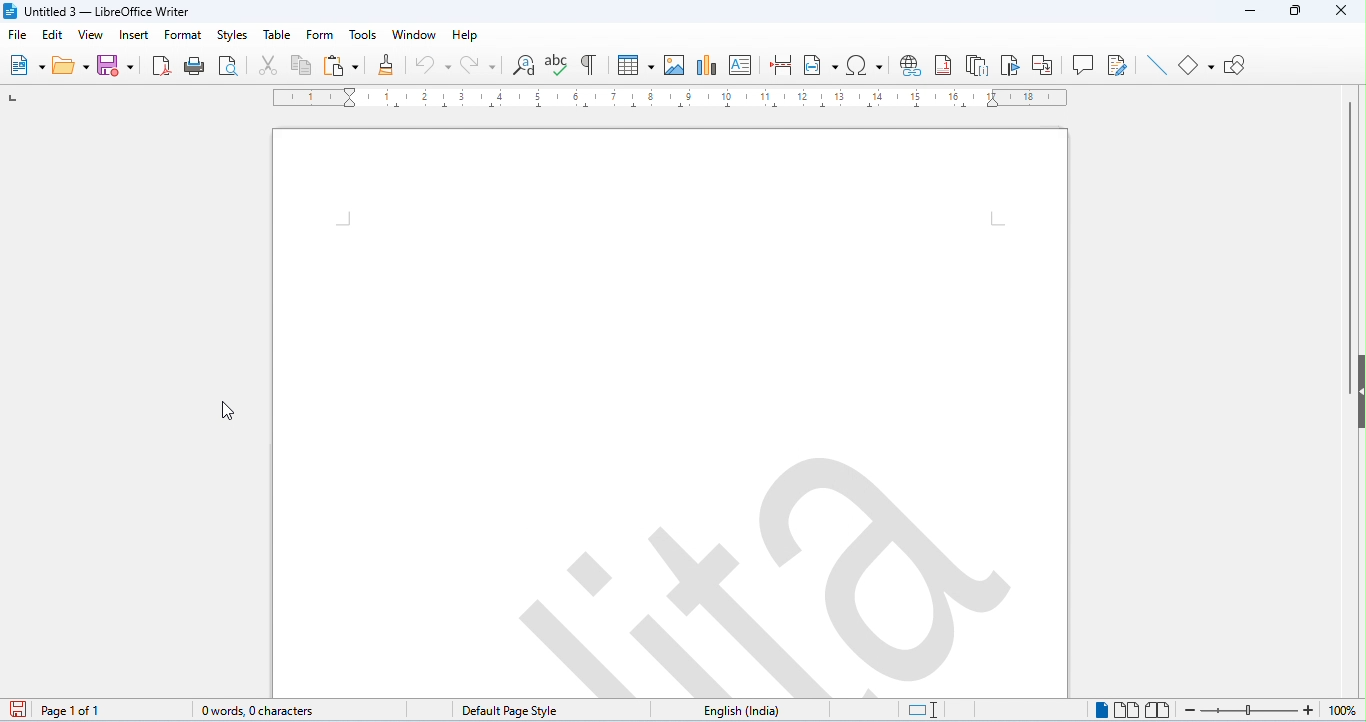 This screenshot has height=722, width=1366. Describe the element at coordinates (734, 708) in the screenshot. I see `language` at that location.